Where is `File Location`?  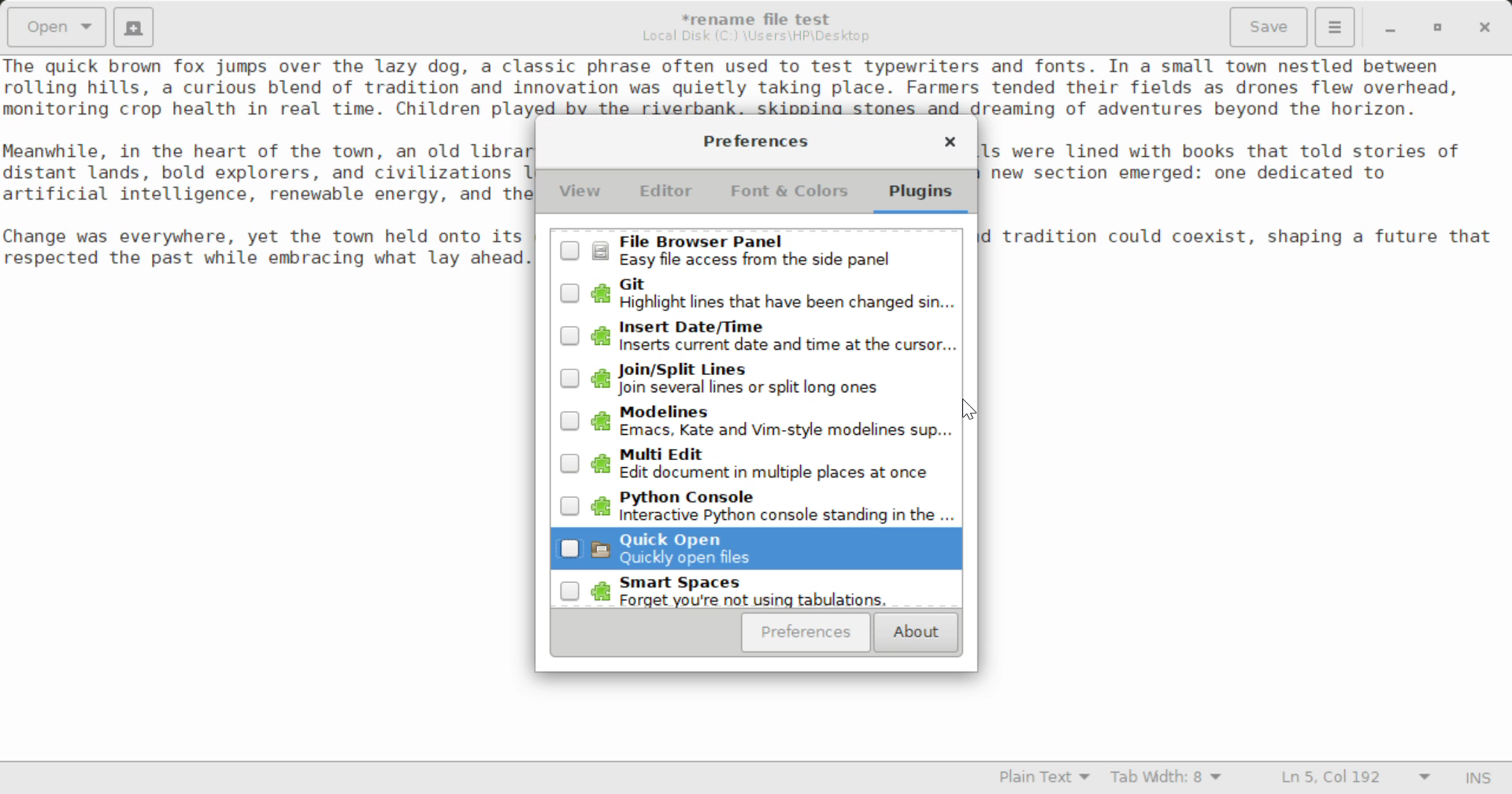 File Location is located at coordinates (756, 36).